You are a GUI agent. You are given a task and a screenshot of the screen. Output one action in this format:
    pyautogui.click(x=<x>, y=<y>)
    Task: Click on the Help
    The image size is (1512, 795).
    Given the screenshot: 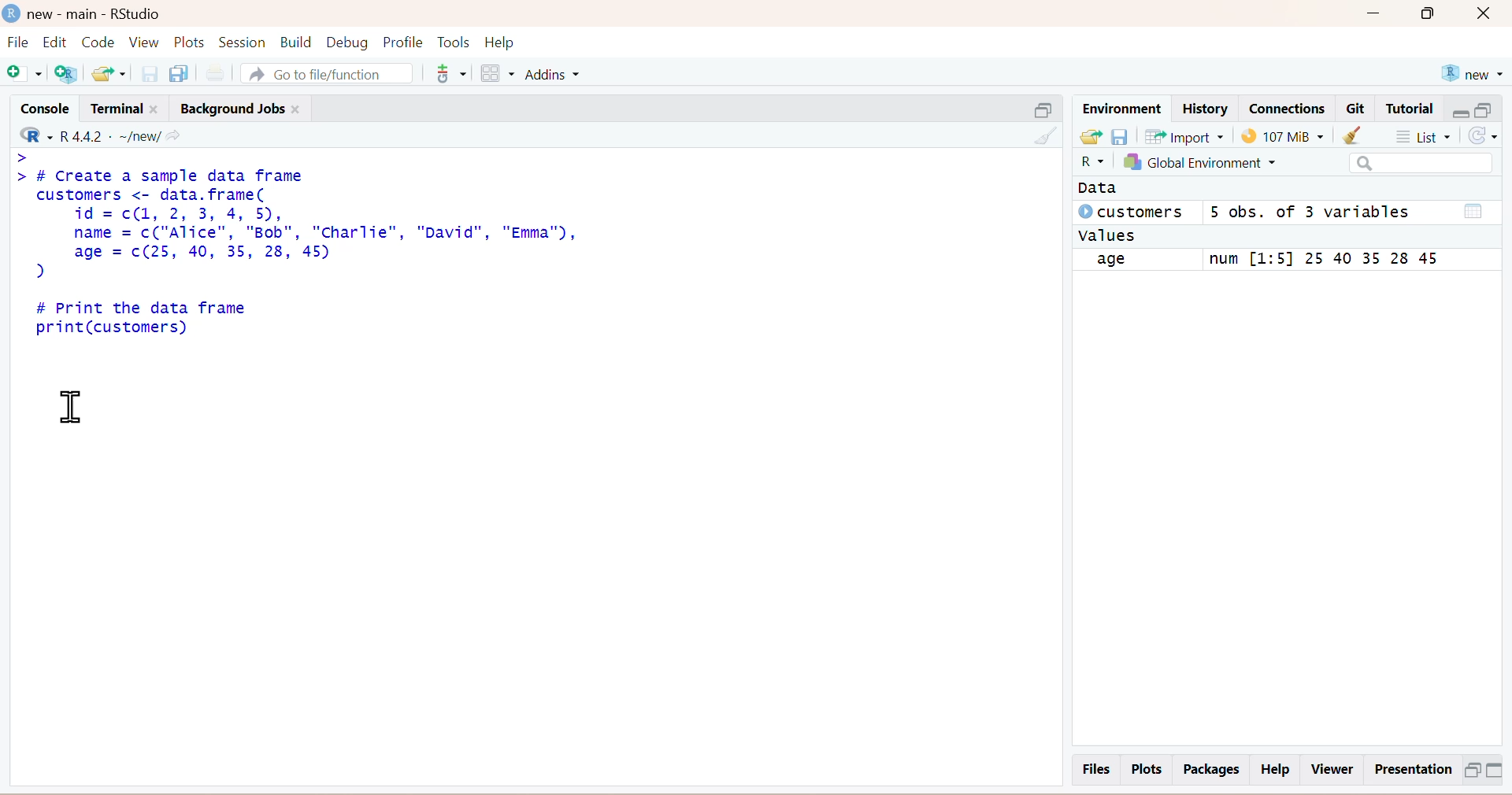 What is the action you would take?
    pyautogui.click(x=1277, y=770)
    